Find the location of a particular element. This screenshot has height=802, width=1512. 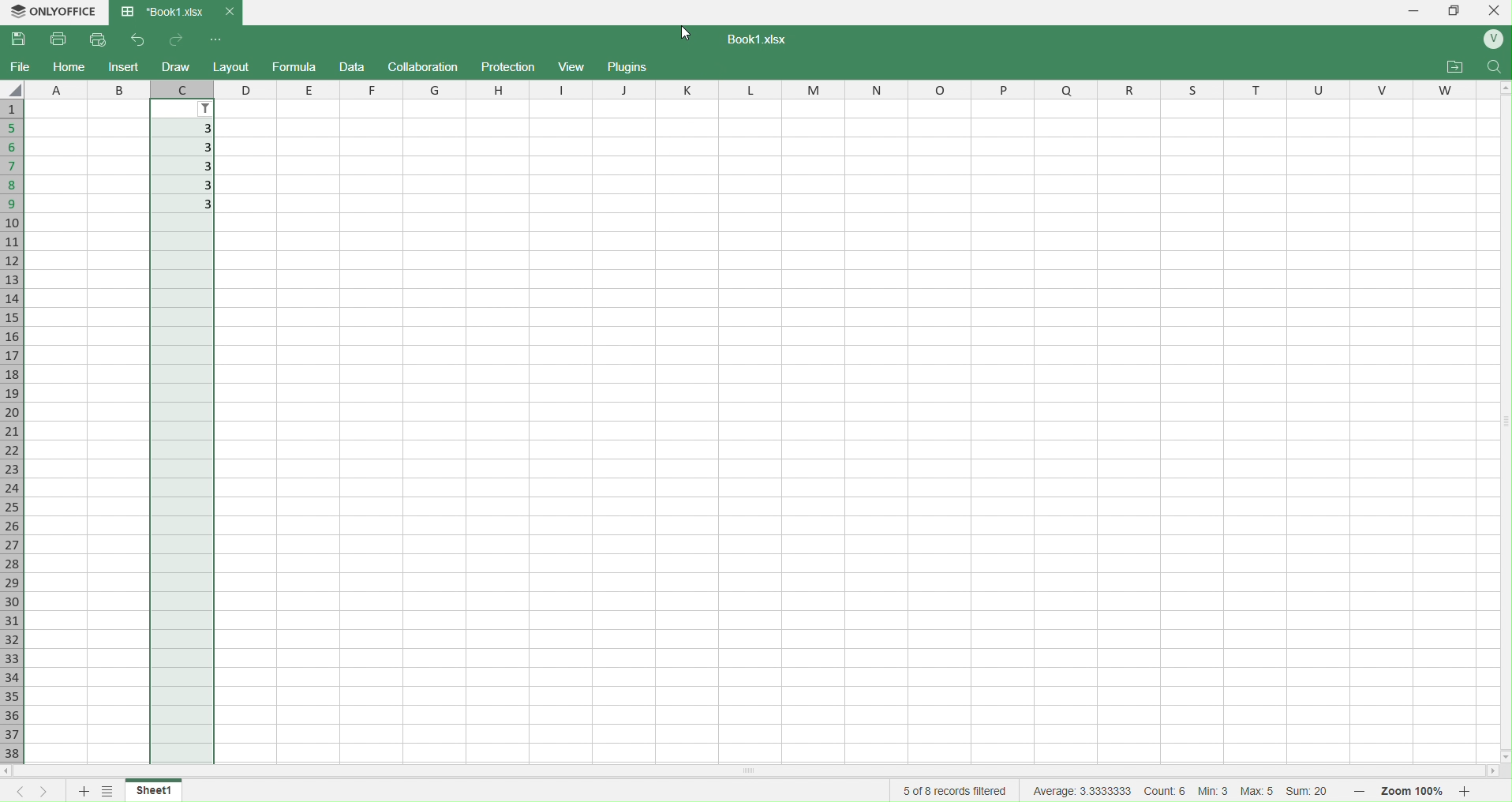

3 is located at coordinates (185, 185).